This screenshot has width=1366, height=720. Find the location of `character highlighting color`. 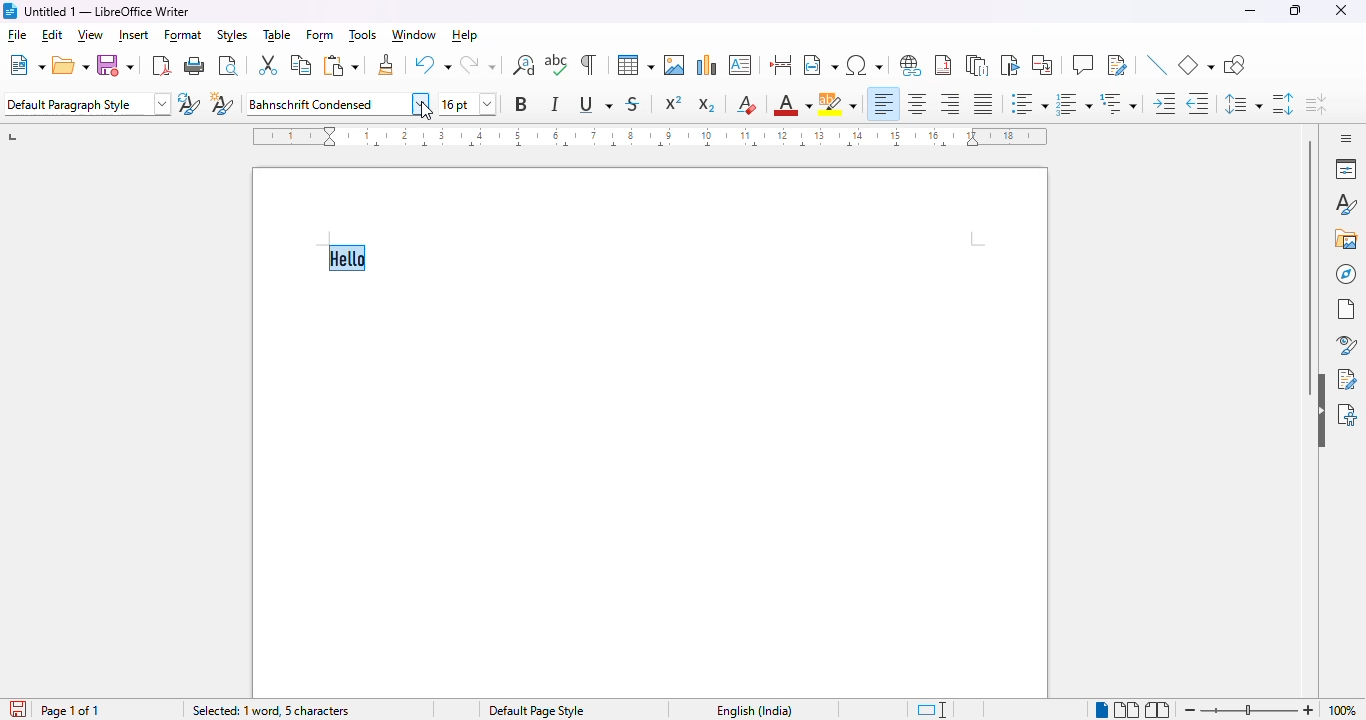

character highlighting color is located at coordinates (838, 103).